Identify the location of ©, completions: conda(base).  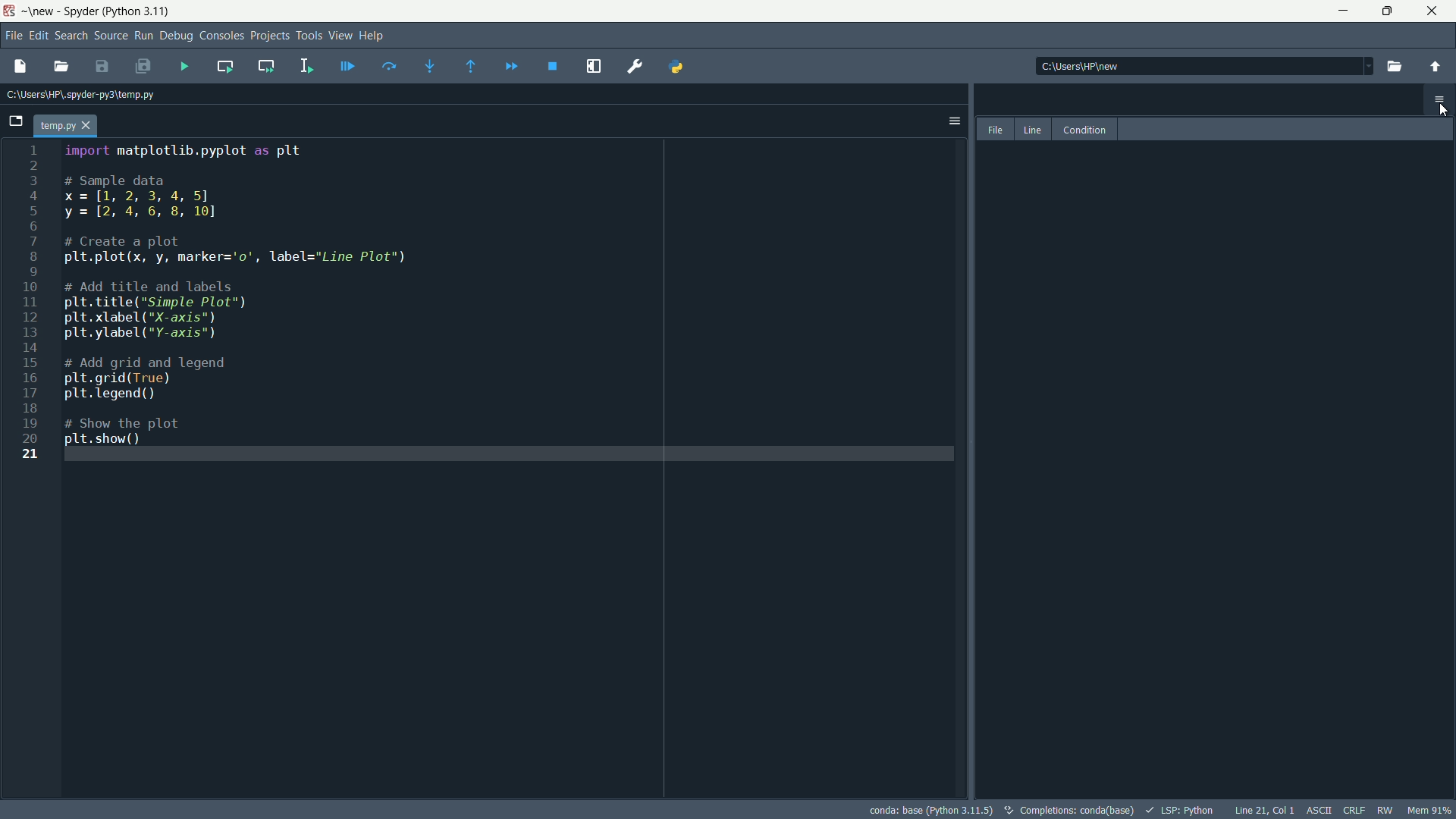
(1068, 808).